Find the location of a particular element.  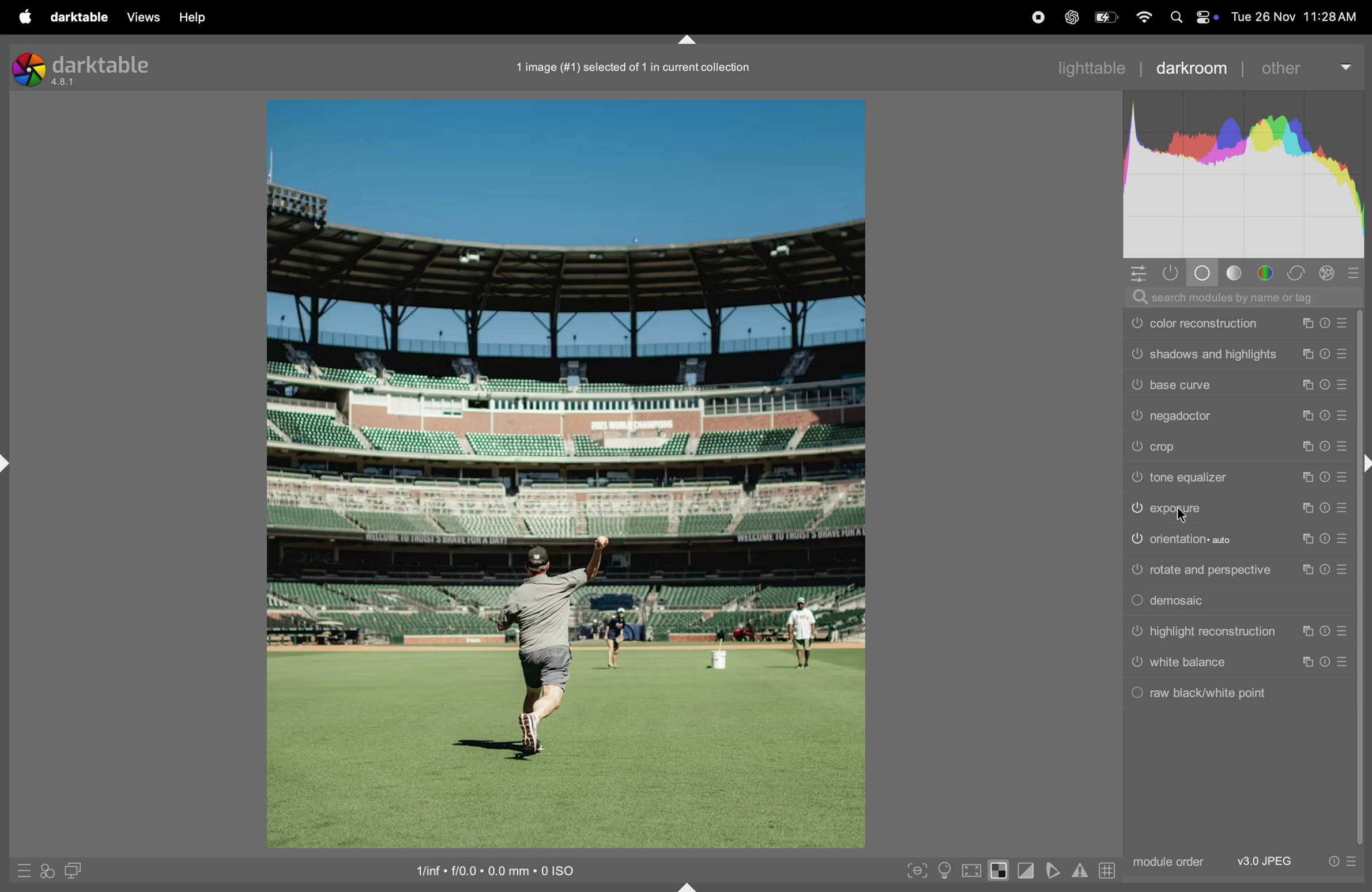

color is located at coordinates (1267, 273).